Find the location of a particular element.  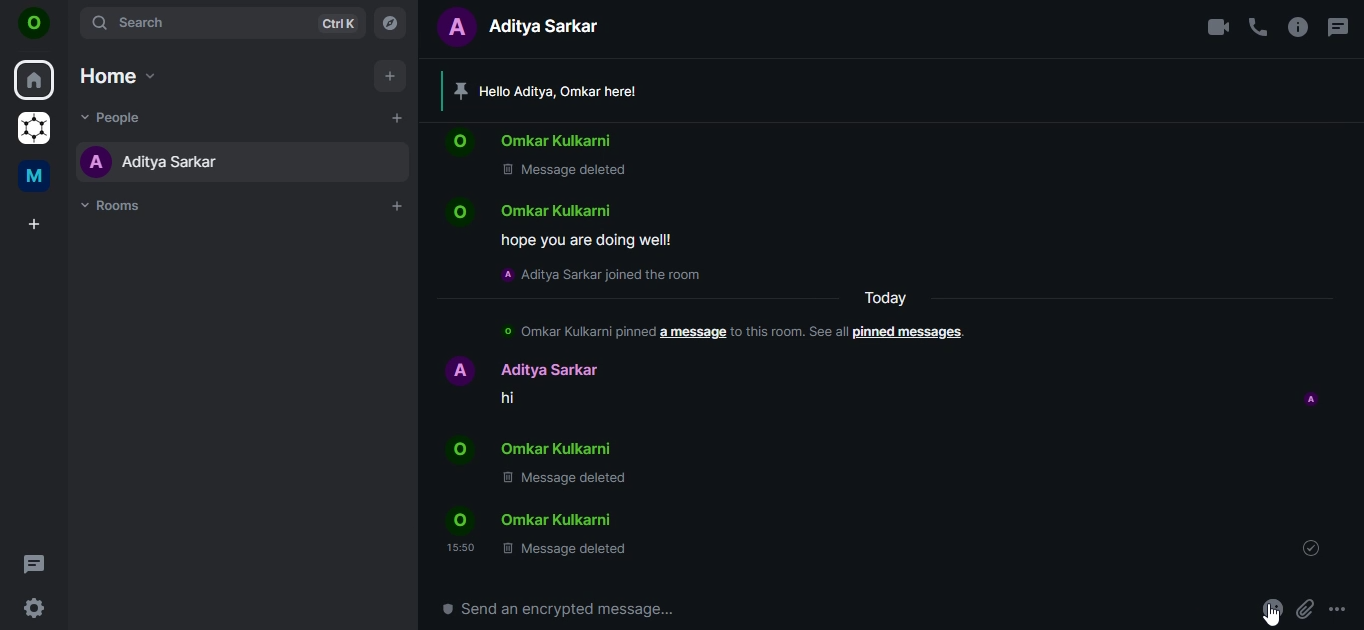

react is located at coordinates (1353, 648).